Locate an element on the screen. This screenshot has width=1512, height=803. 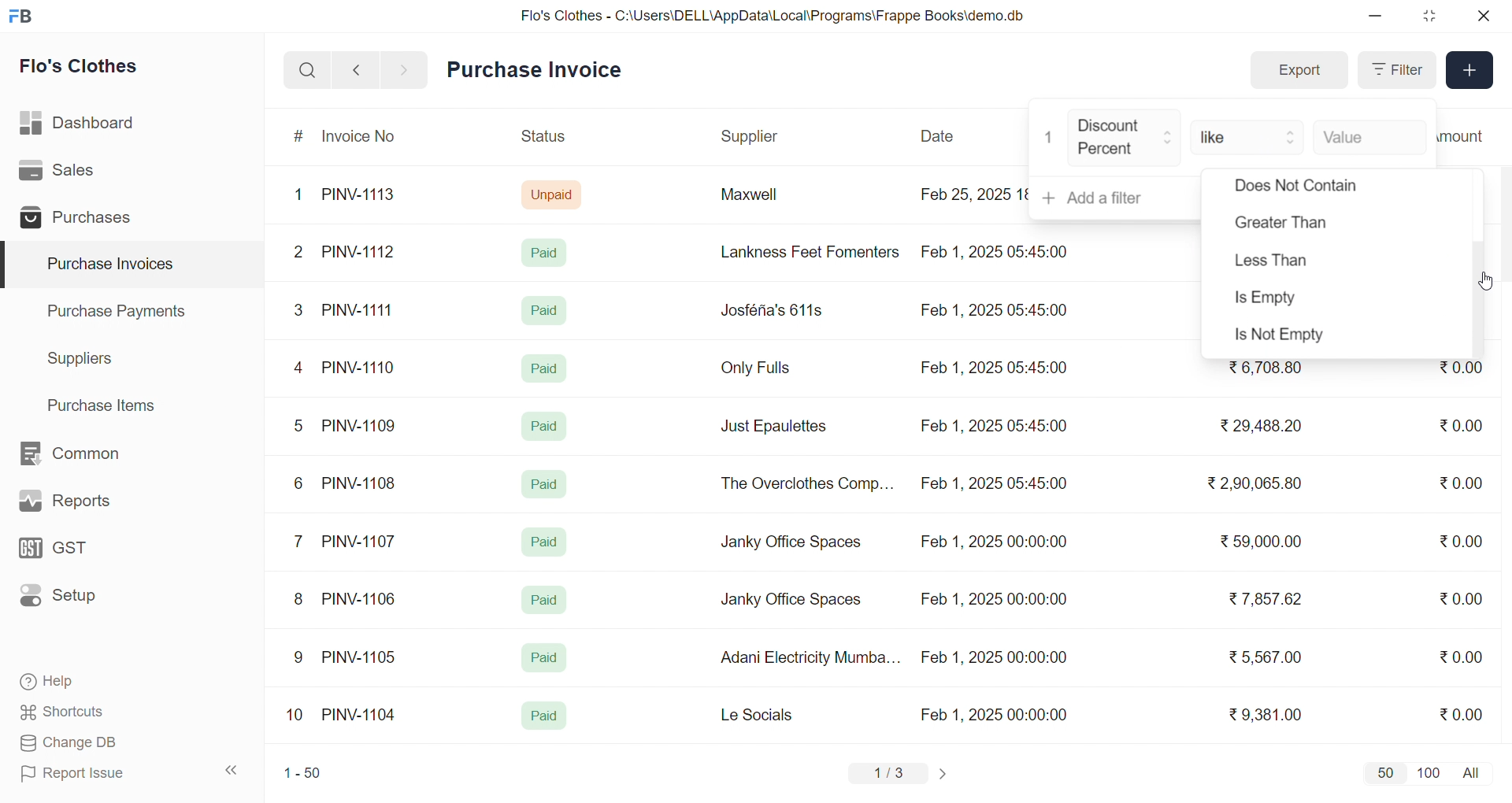
Status is located at coordinates (542, 139).